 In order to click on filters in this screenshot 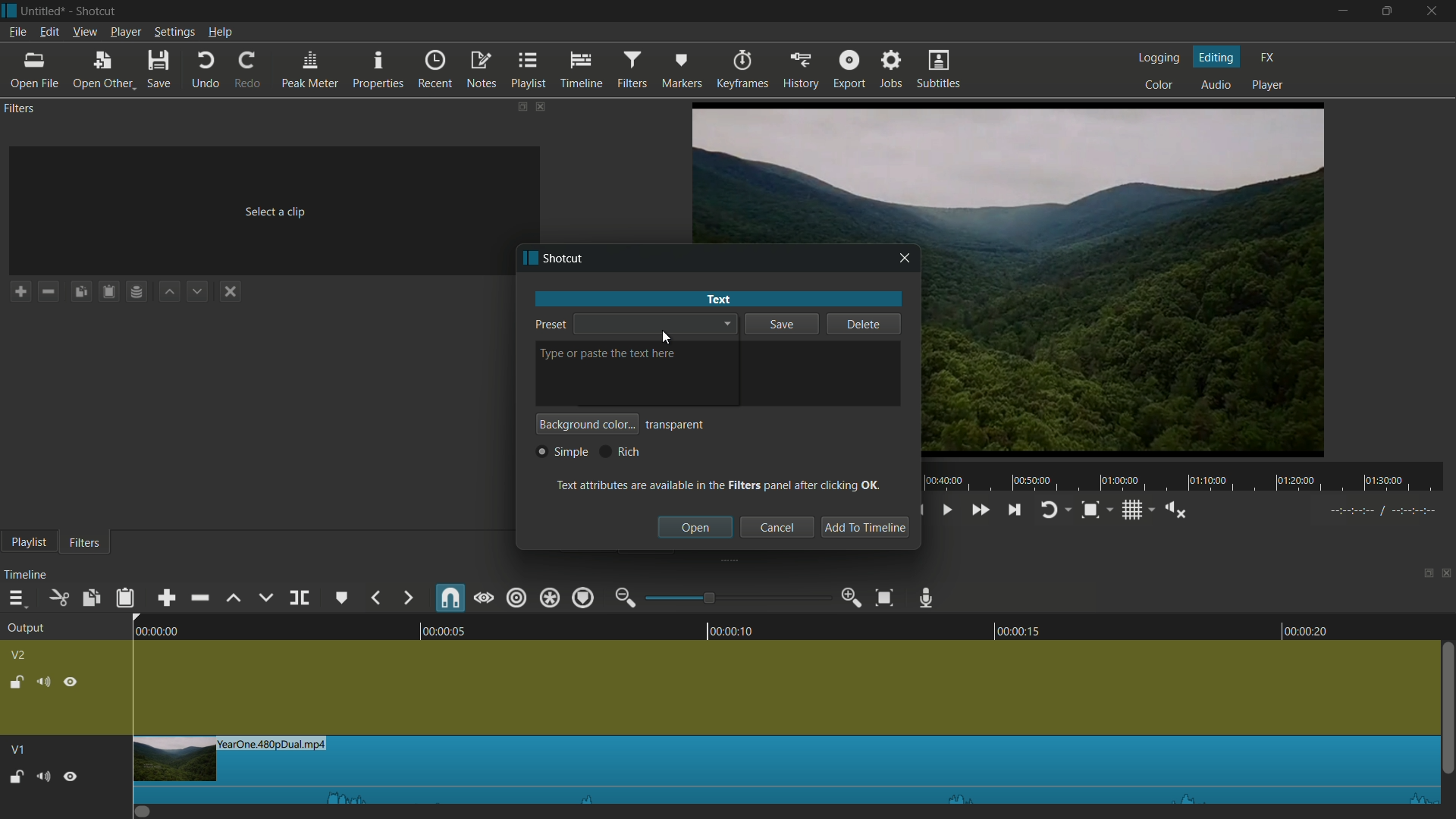, I will do `click(631, 71)`.